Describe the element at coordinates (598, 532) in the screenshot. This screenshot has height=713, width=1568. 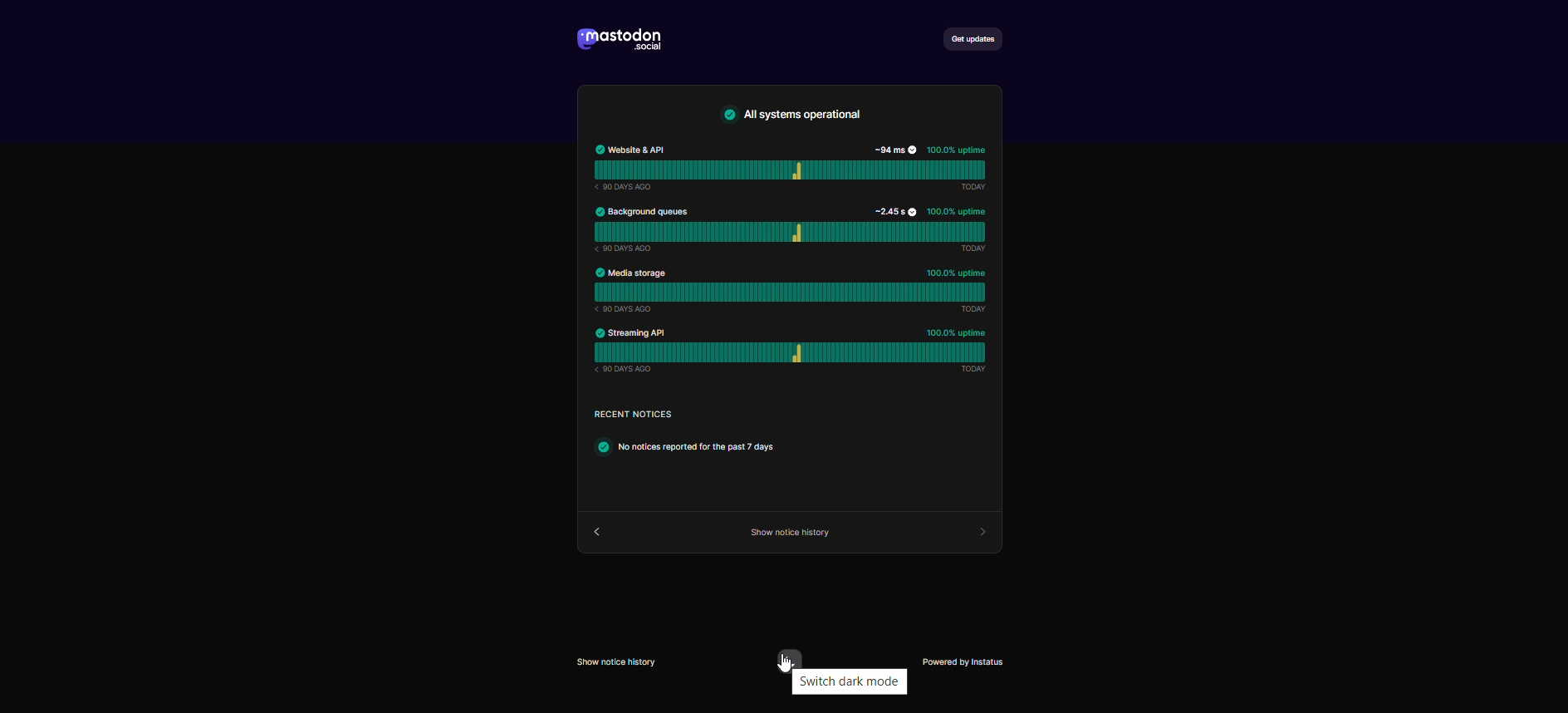
I see `back` at that location.